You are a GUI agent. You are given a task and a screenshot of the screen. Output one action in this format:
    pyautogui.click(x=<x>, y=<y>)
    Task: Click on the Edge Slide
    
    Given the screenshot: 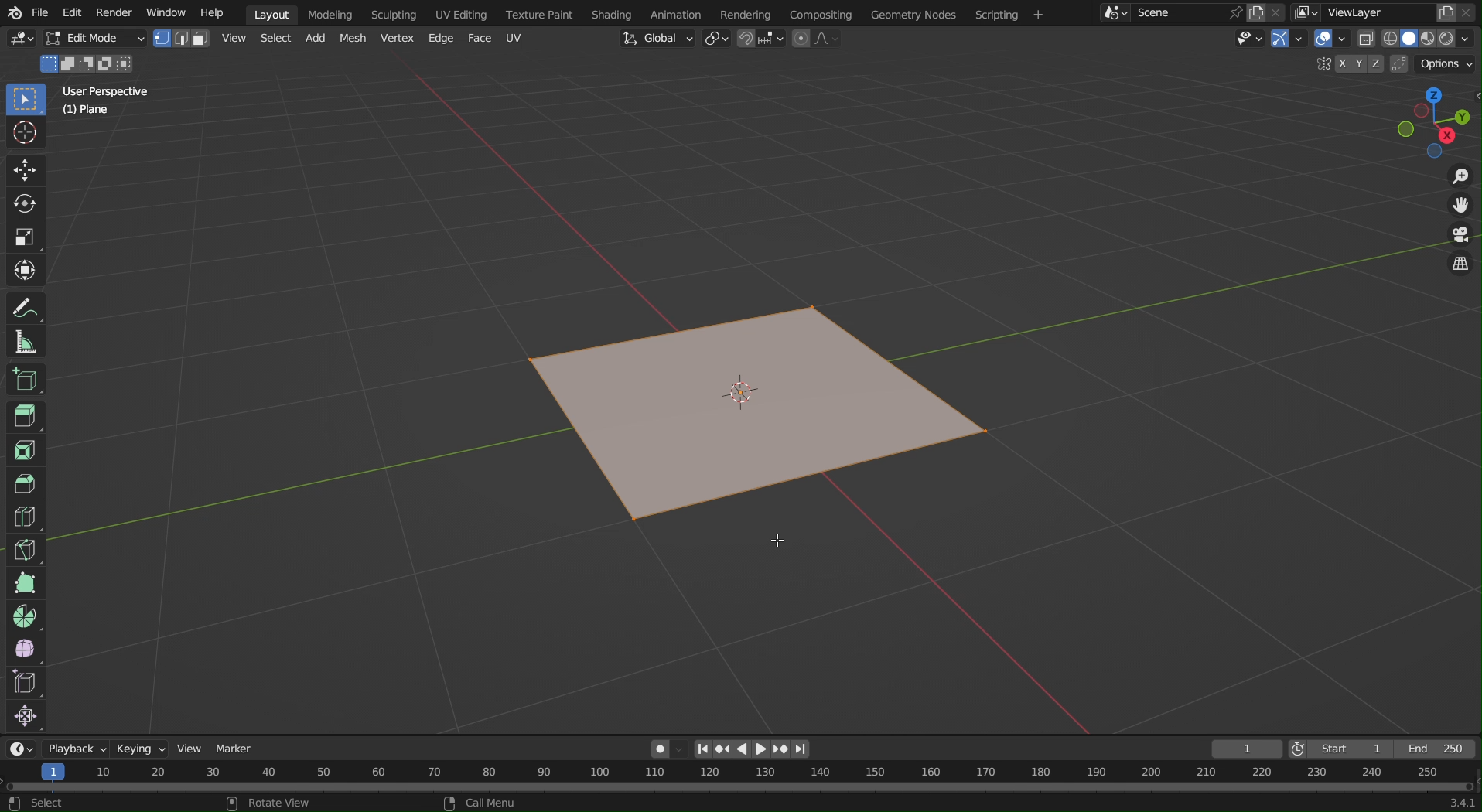 What is the action you would take?
    pyautogui.click(x=25, y=684)
    